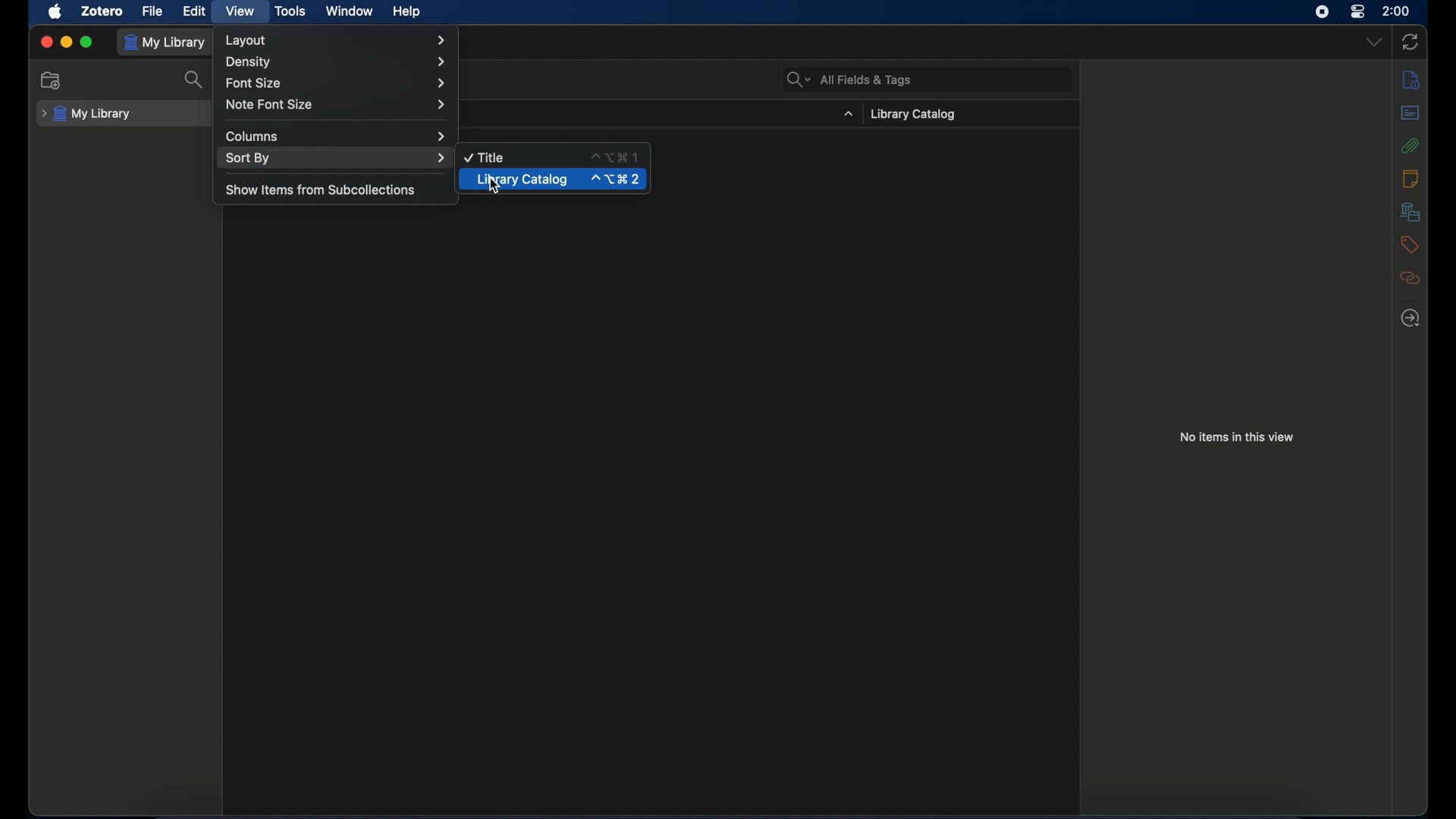 The width and height of the screenshot is (1456, 819). I want to click on new collection, so click(52, 80).